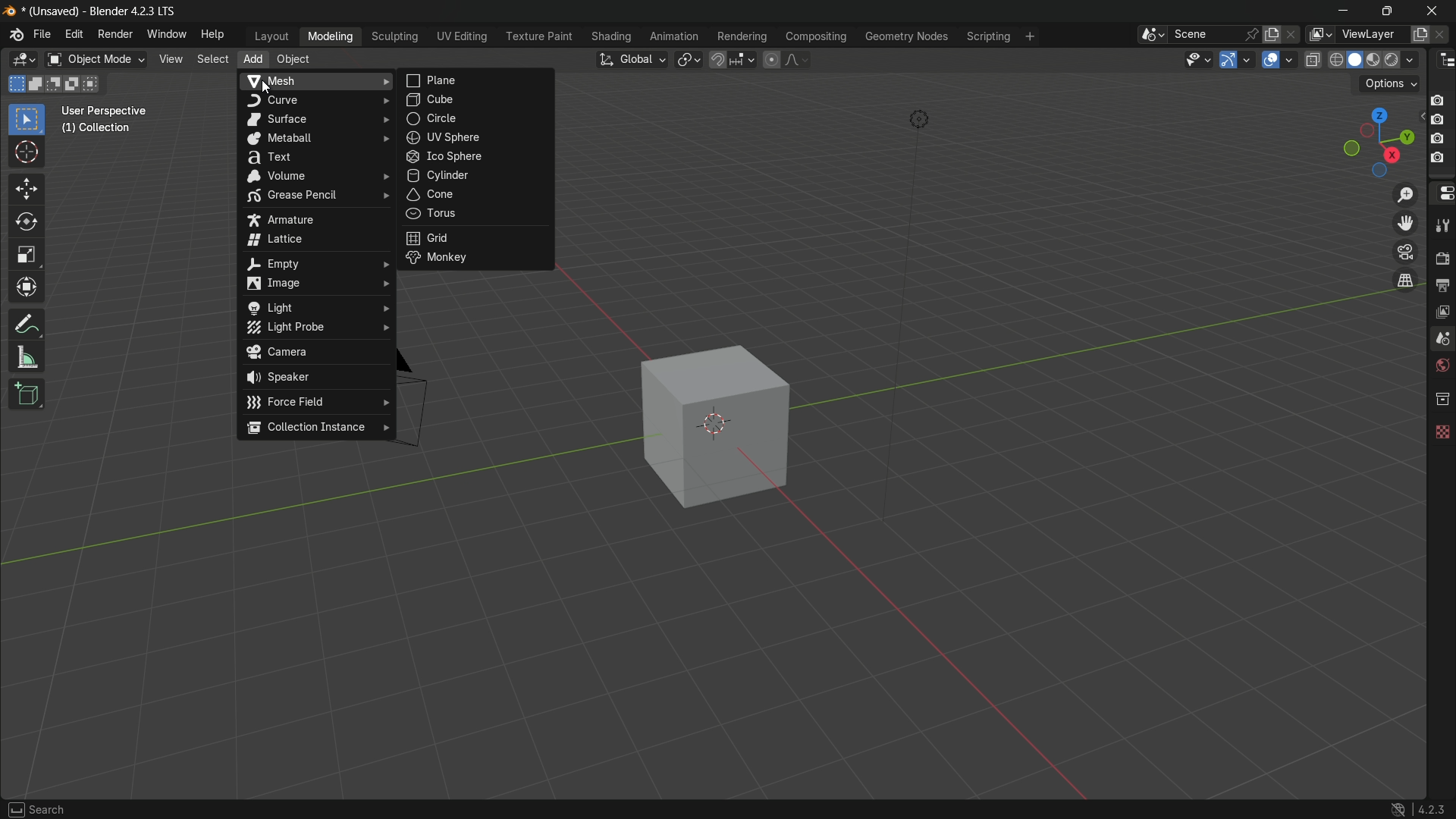  I want to click on 4.2.3, so click(1432, 808).